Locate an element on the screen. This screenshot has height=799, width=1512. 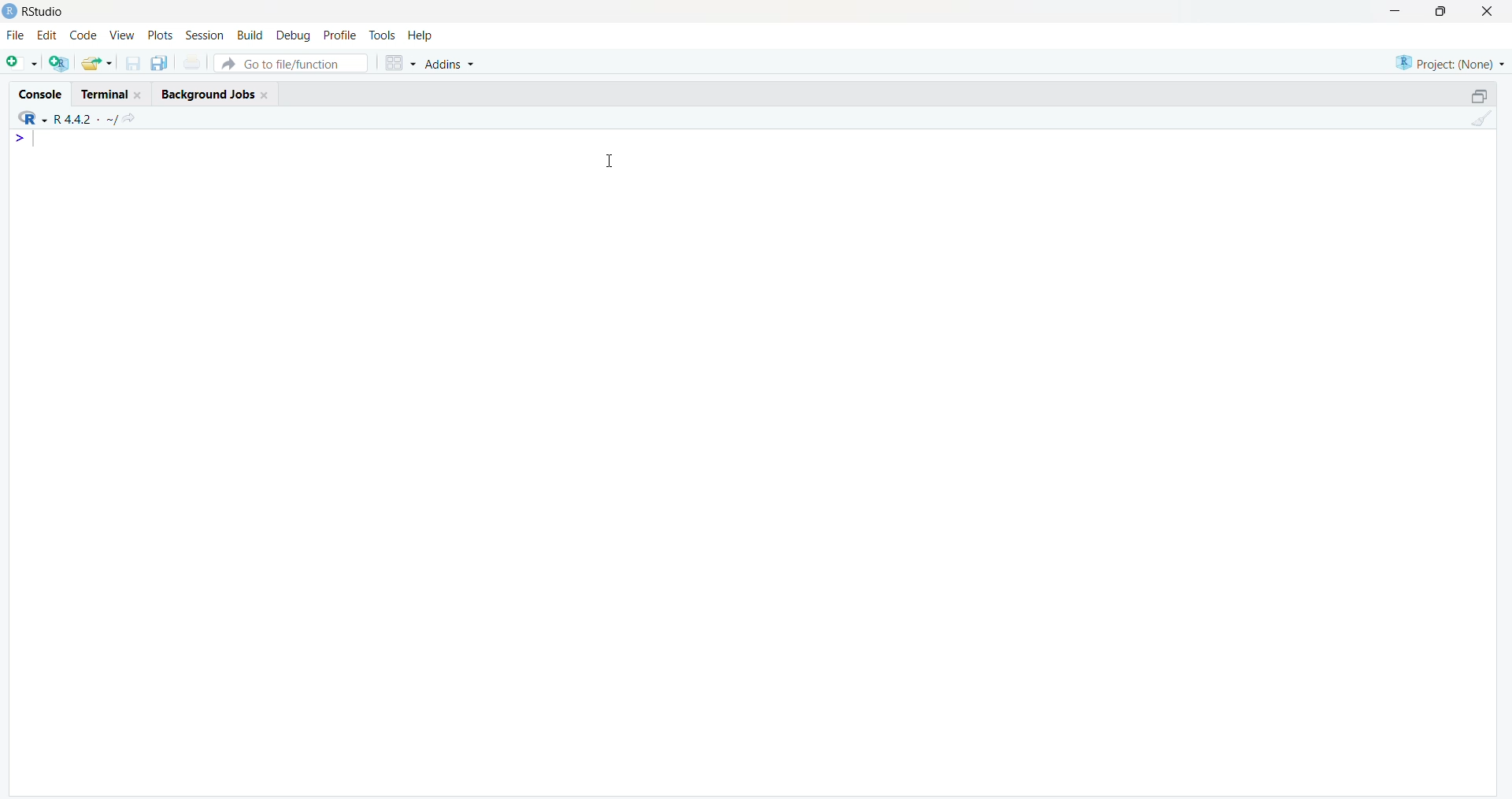
open in separate window  is located at coordinates (1480, 95).